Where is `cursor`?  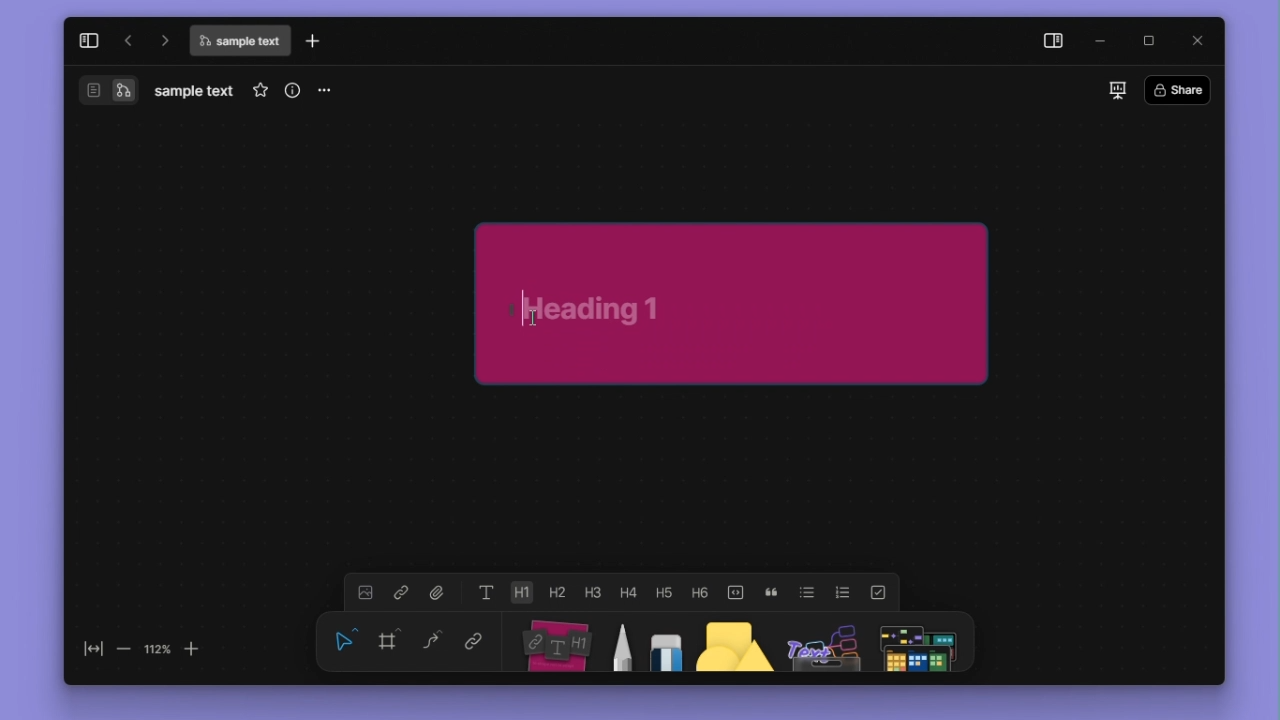
cursor is located at coordinates (533, 318).